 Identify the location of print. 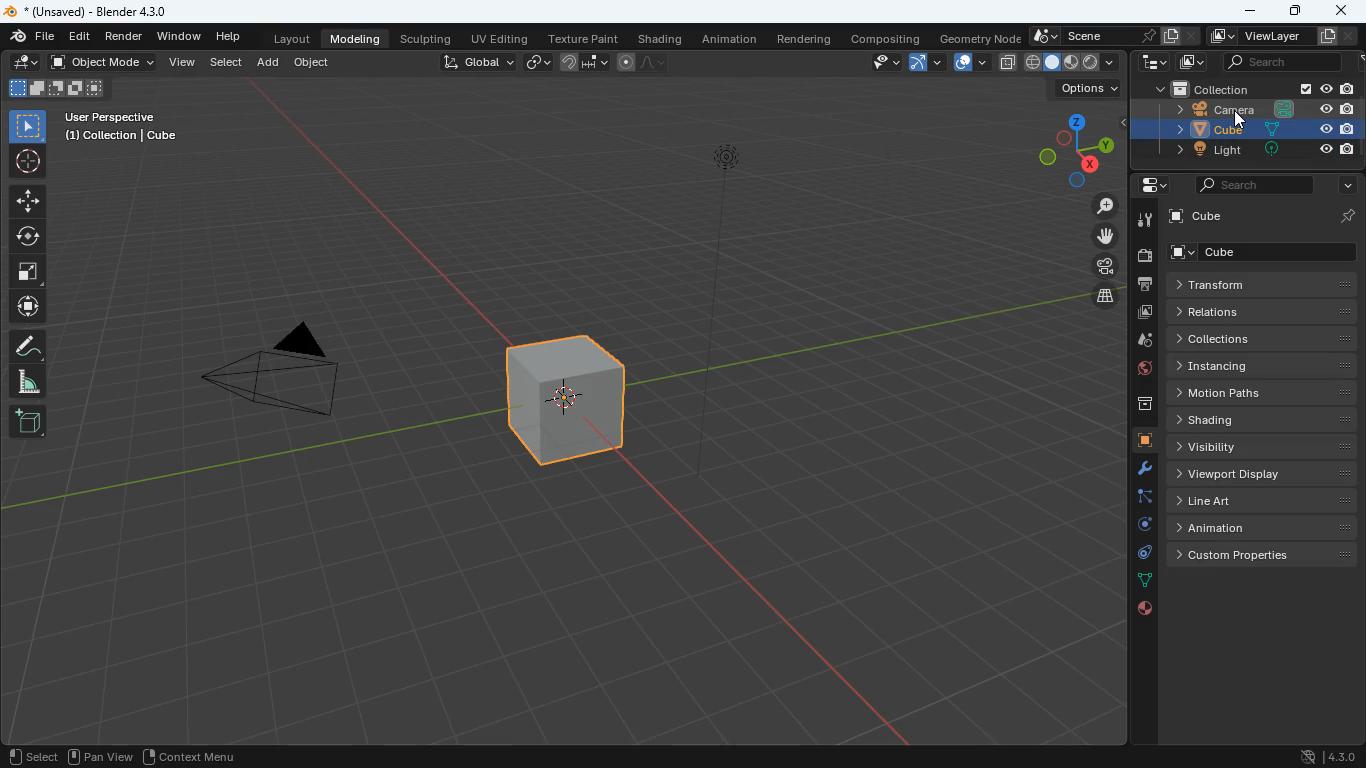
(1146, 286).